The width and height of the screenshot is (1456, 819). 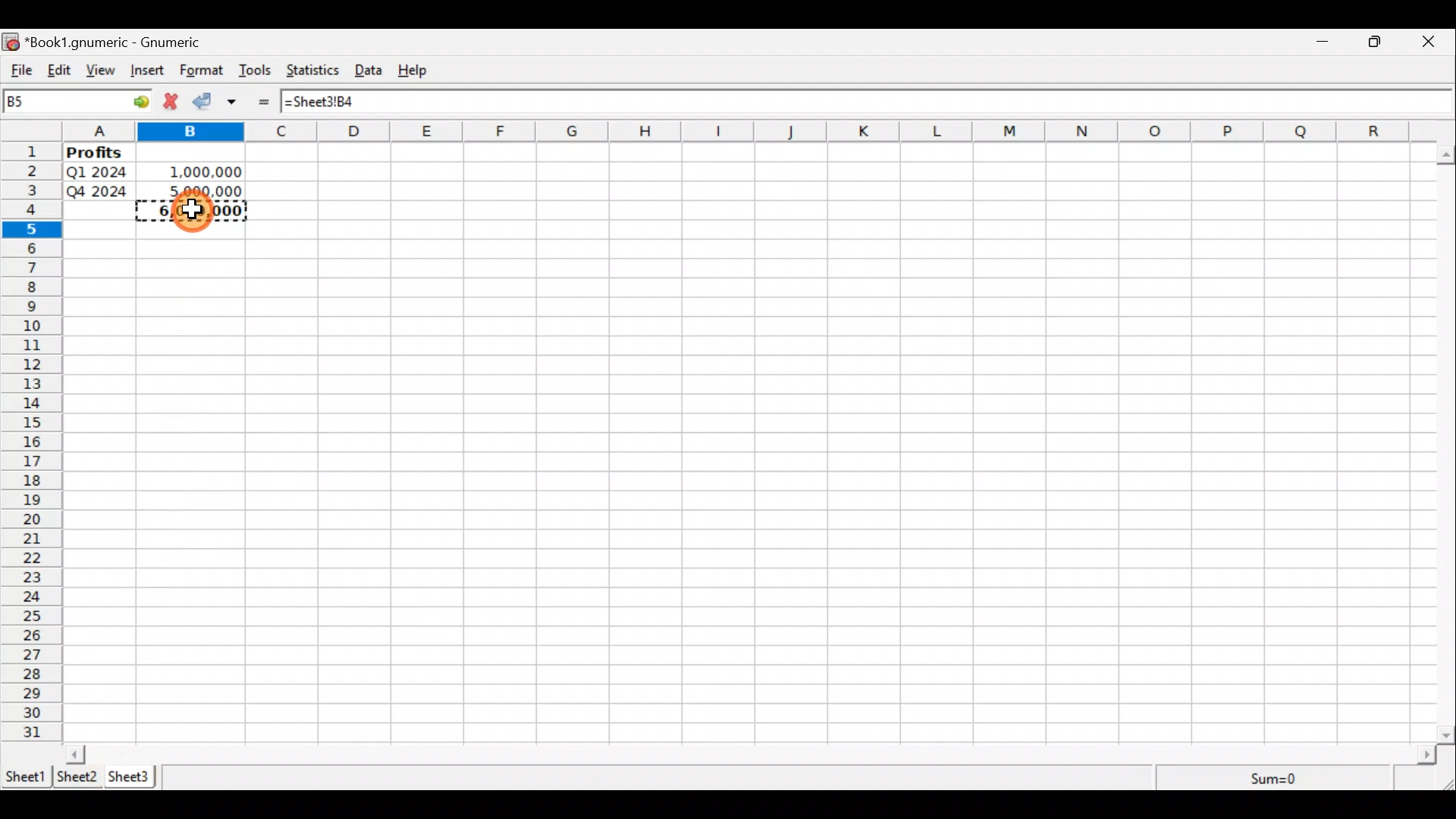 I want to click on File, so click(x=19, y=71).